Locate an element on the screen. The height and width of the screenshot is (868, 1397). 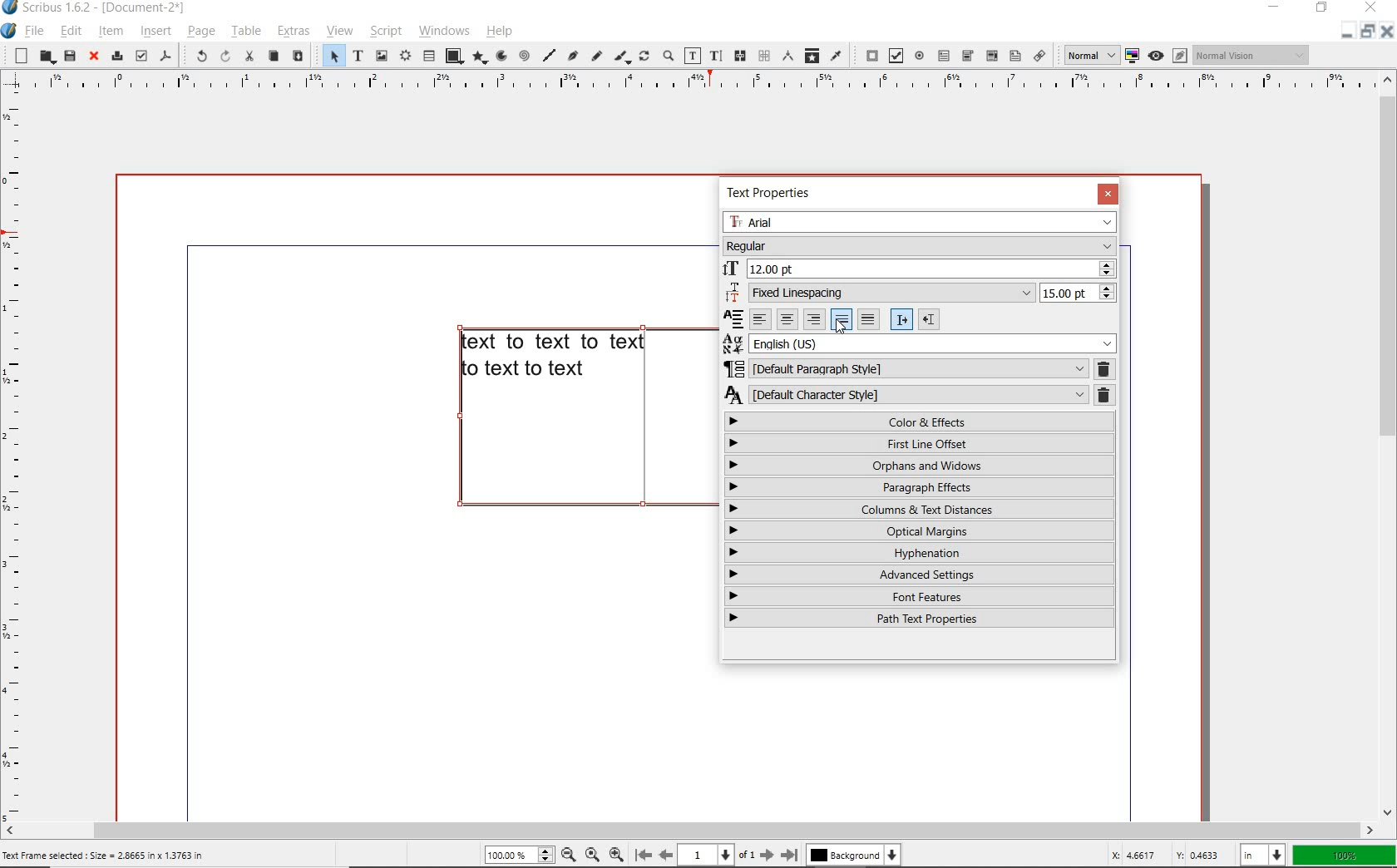
coordinates is located at coordinates (1164, 856).